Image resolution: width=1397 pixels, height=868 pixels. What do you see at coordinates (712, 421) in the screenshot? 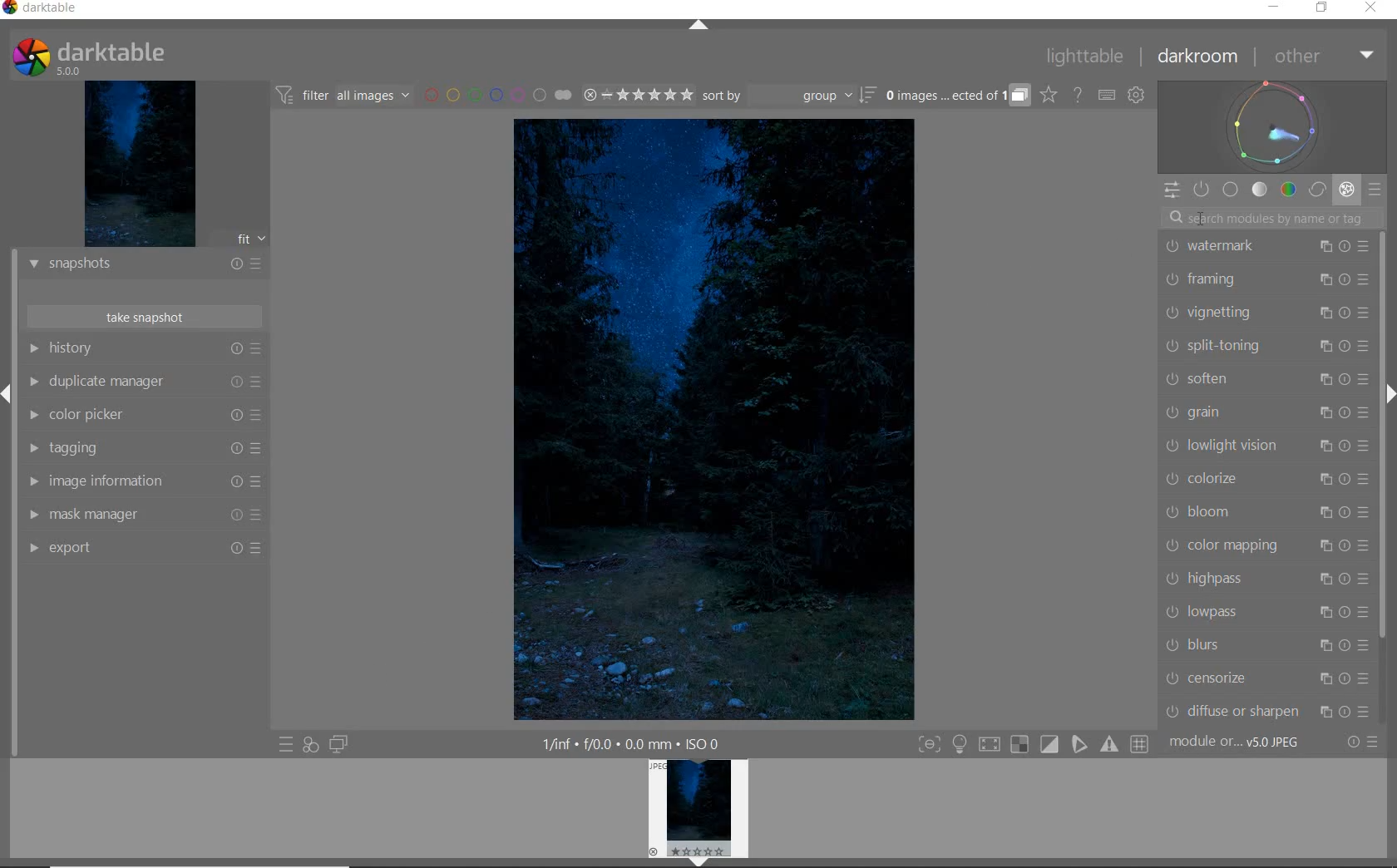
I see `SELECTED IMAGE` at bounding box center [712, 421].